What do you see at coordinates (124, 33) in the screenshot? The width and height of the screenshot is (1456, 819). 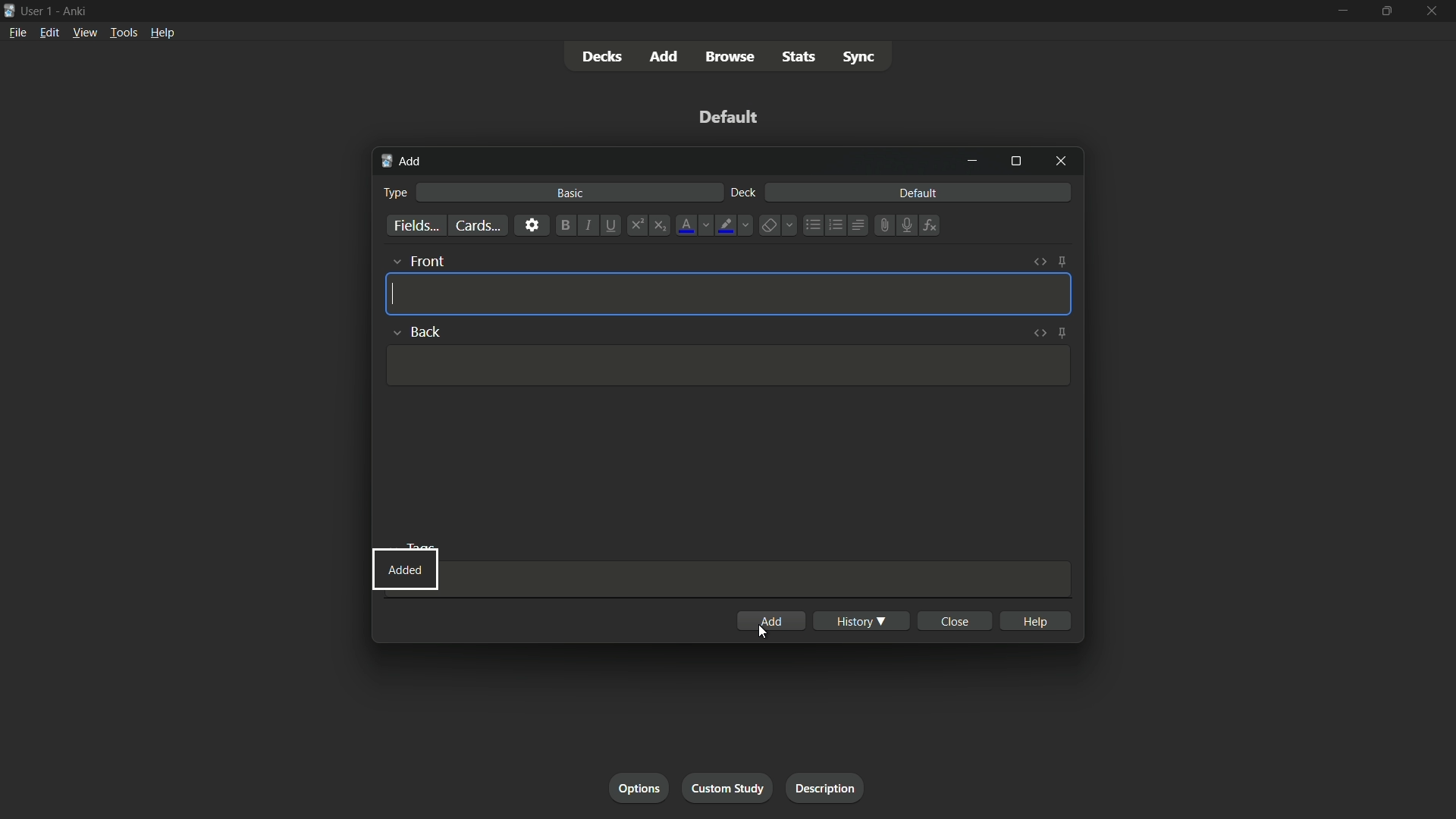 I see `tools menu` at bounding box center [124, 33].